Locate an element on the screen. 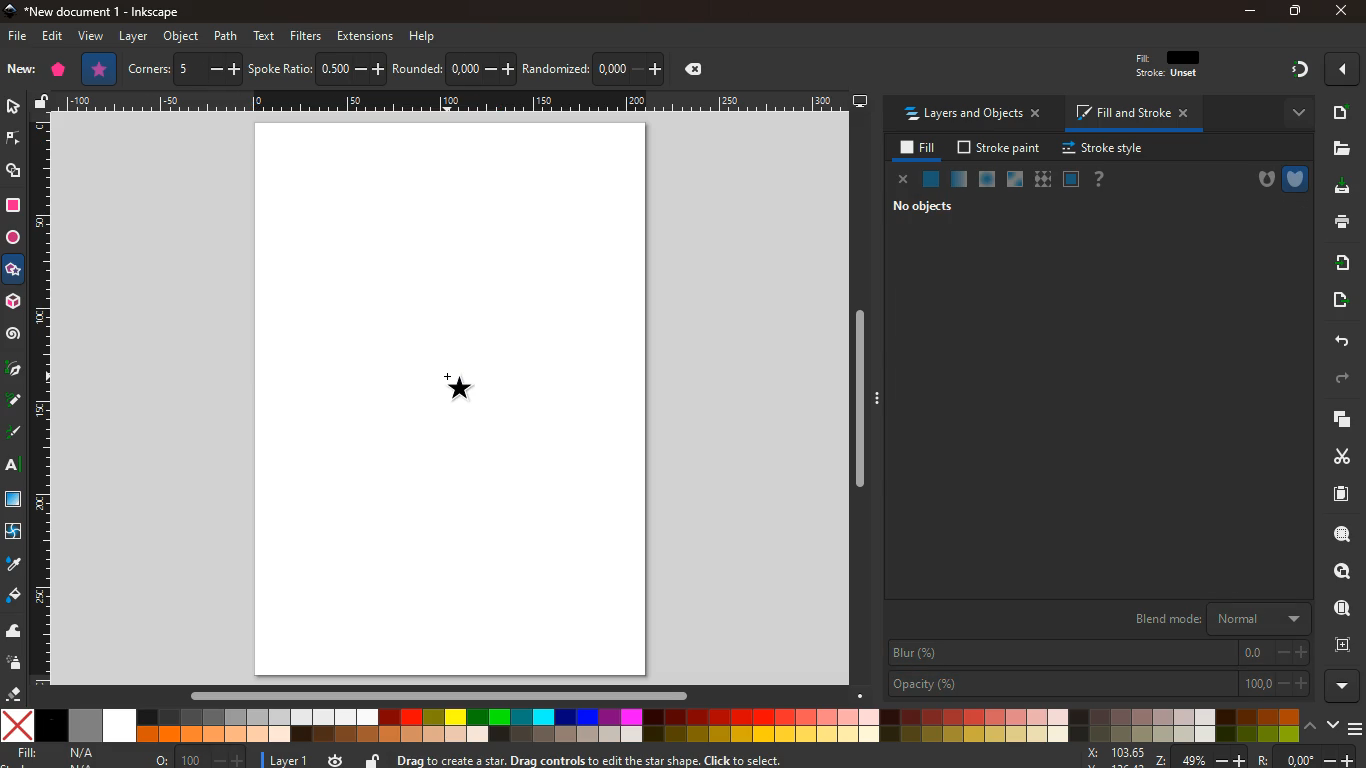 The image size is (1366, 768). file is located at coordinates (19, 36).